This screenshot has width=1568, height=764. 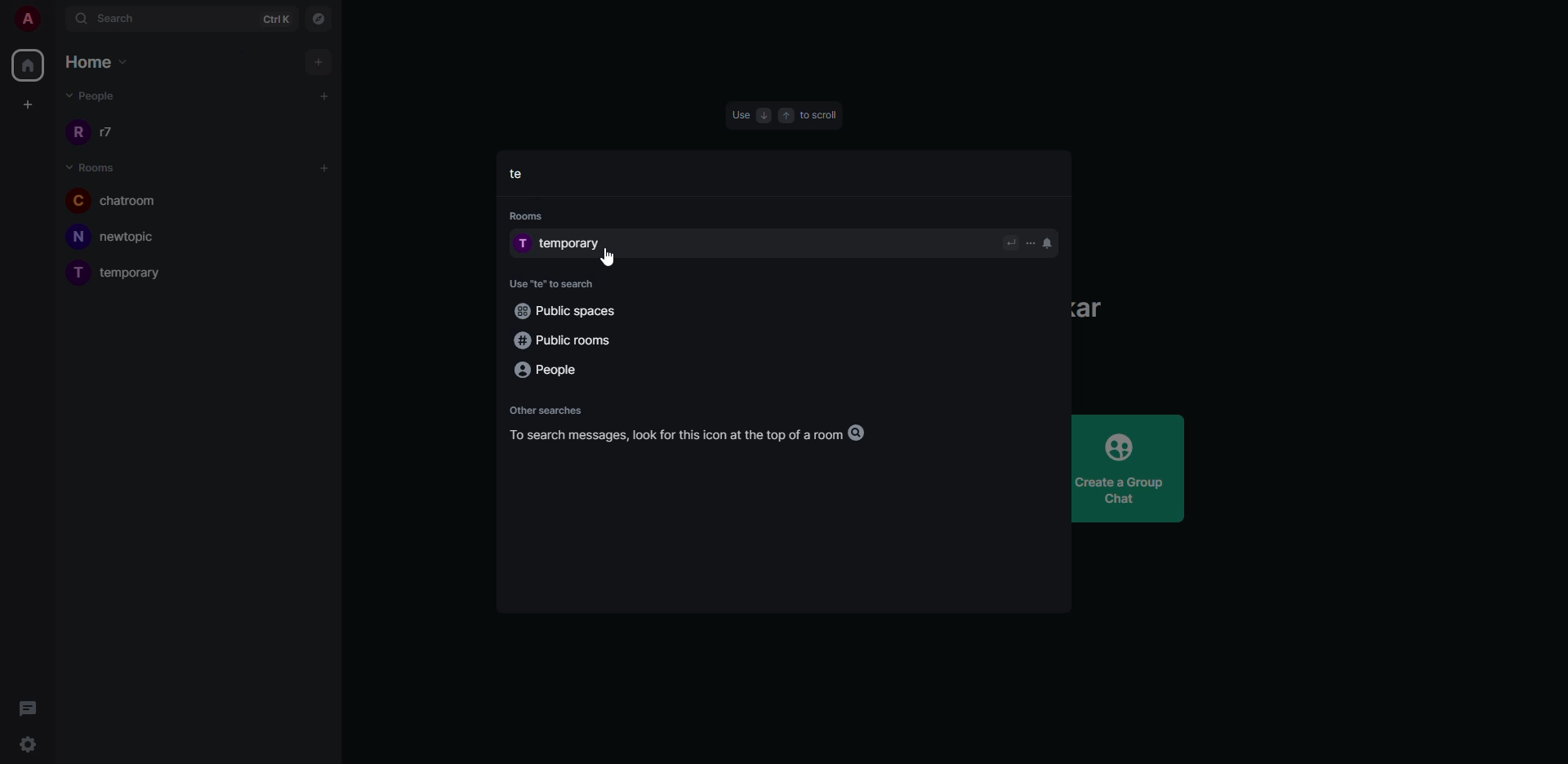 What do you see at coordinates (95, 60) in the screenshot?
I see `home` at bounding box center [95, 60].